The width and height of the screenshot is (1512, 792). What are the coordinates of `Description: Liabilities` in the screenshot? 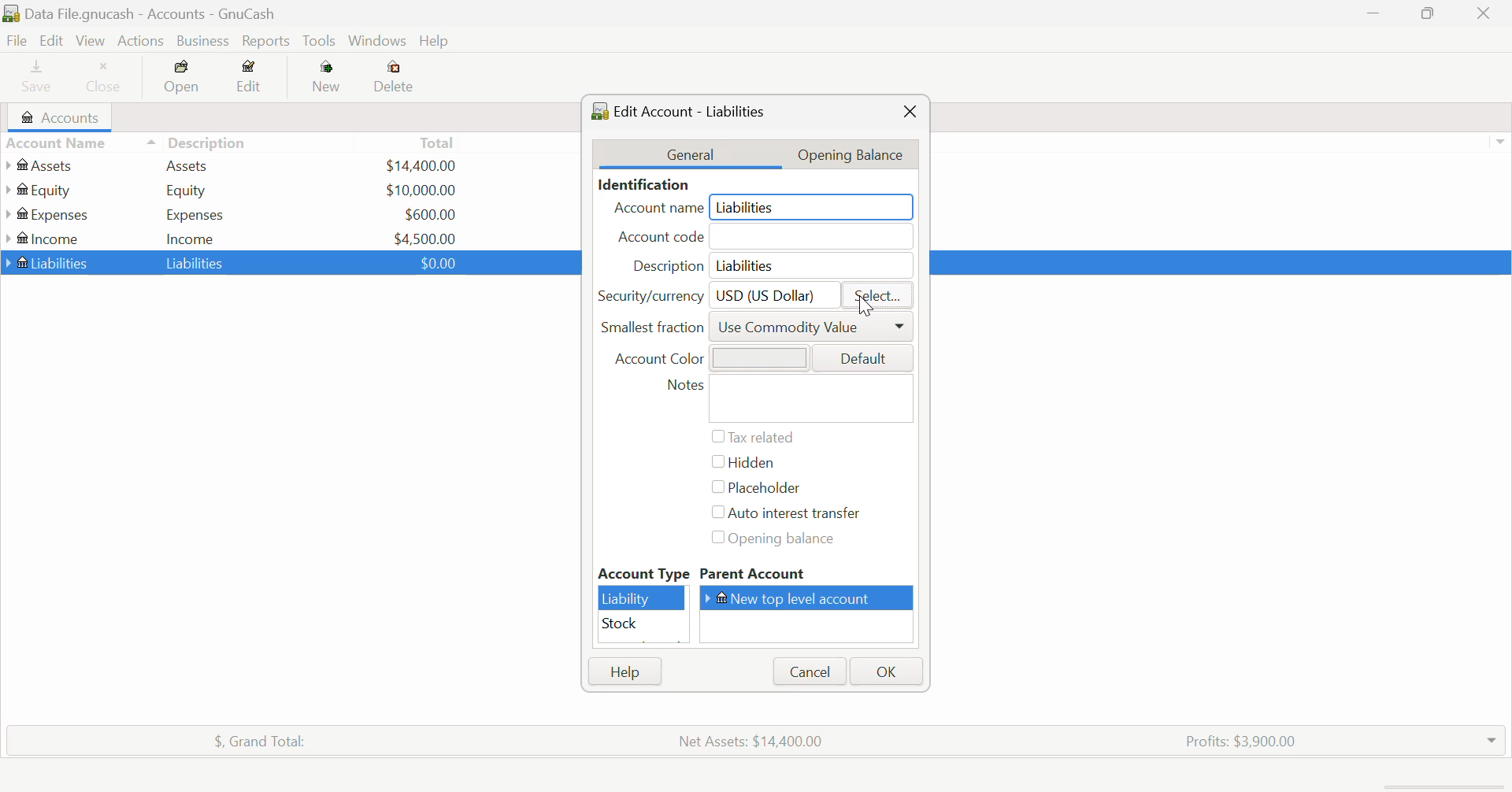 It's located at (766, 265).